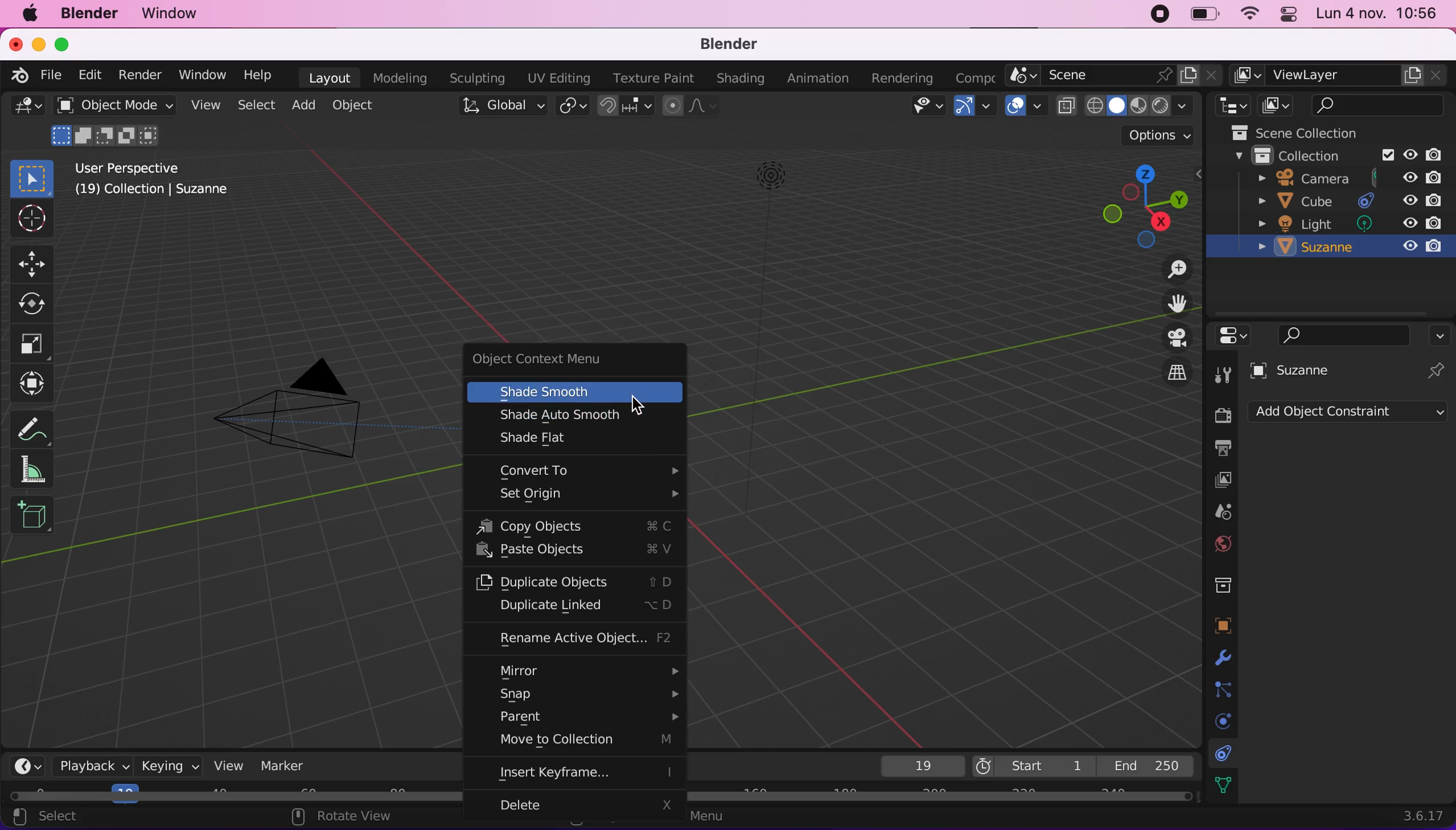 The height and width of the screenshot is (830, 1456). Describe the element at coordinates (1221, 372) in the screenshot. I see `tool` at that location.